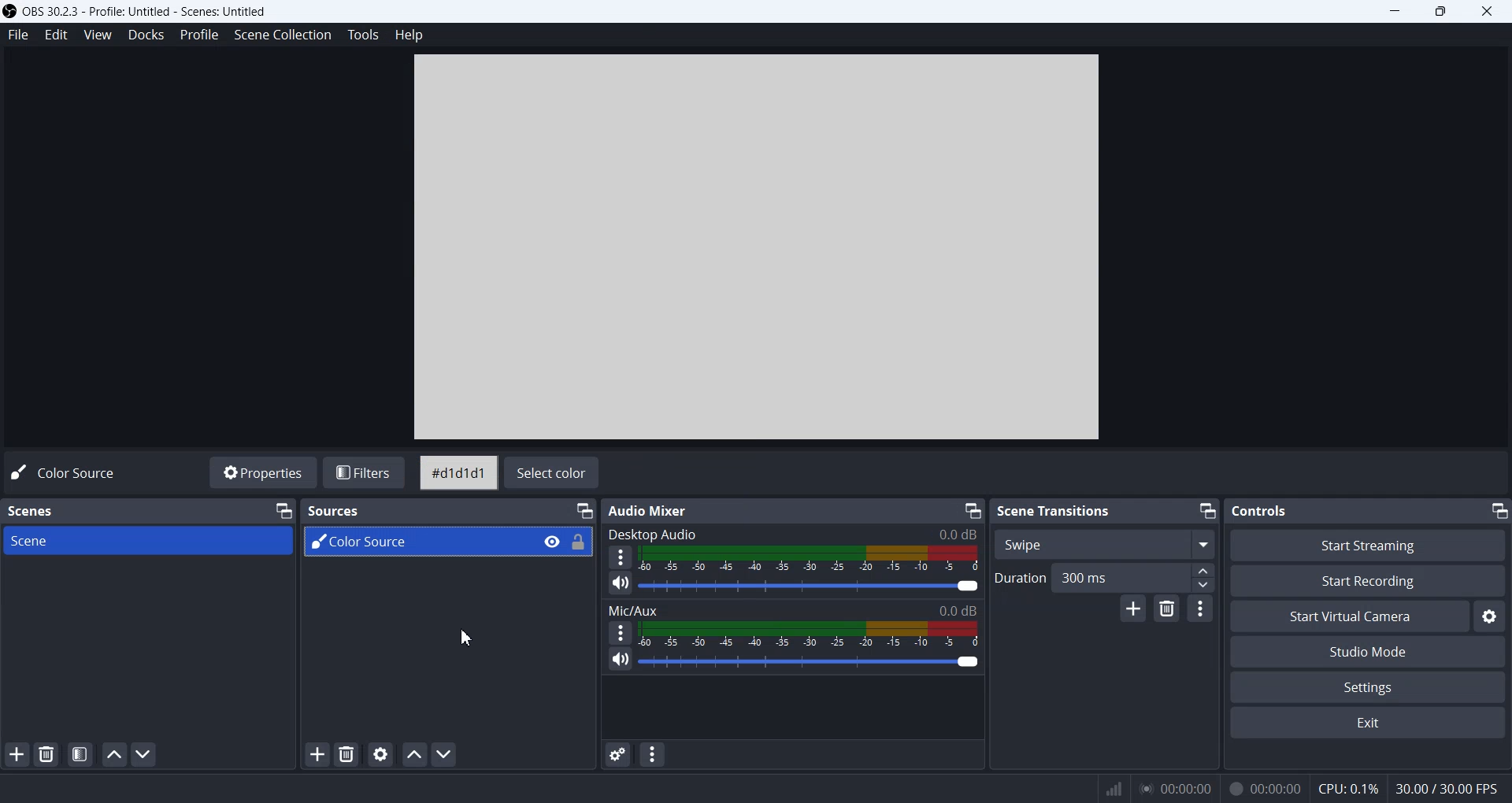 This screenshot has height=803, width=1512. I want to click on Sources, so click(332, 511).